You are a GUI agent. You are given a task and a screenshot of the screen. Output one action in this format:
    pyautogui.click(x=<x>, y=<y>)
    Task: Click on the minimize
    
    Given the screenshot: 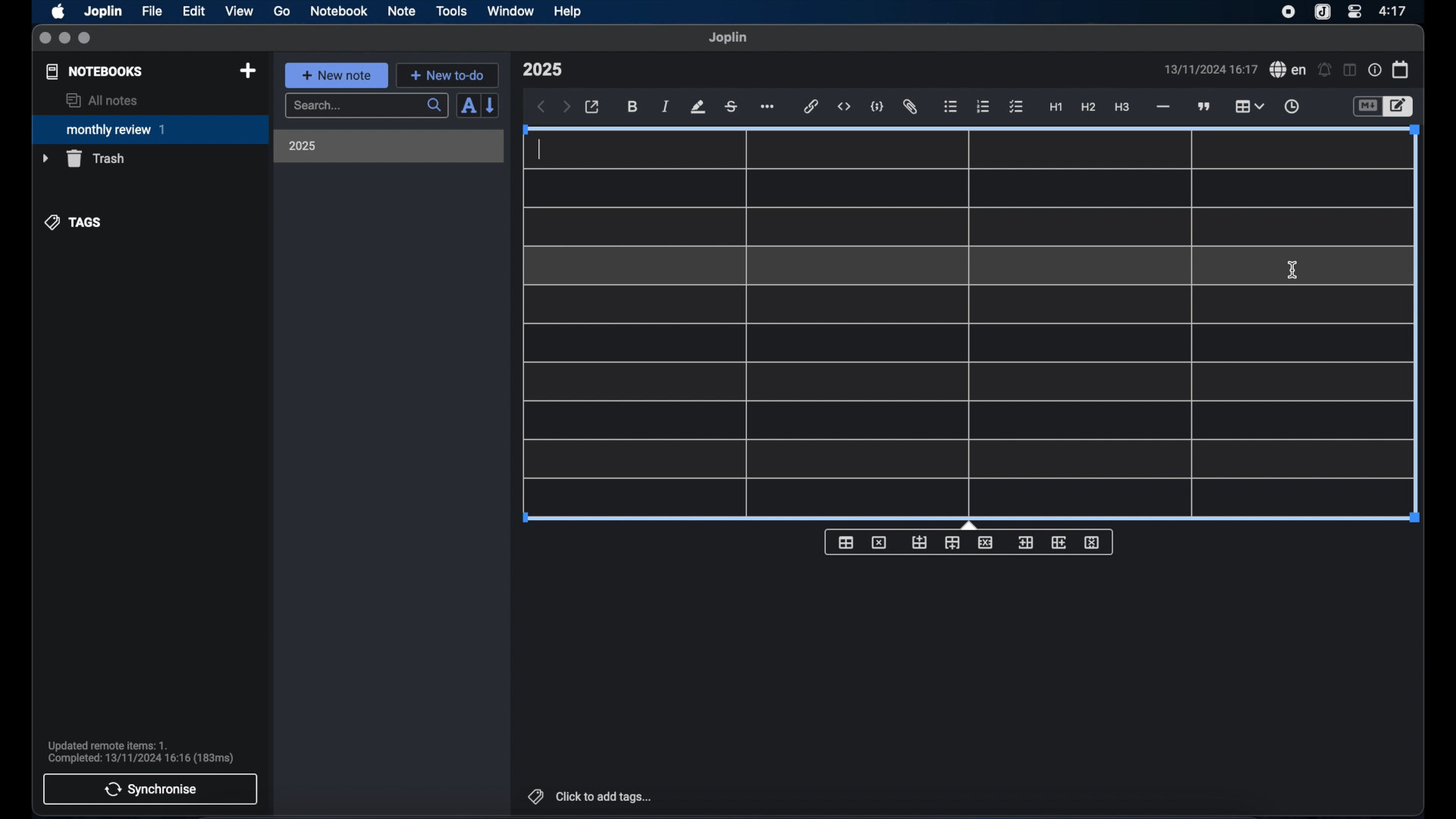 What is the action you would take?
    pyautogui.click(x=64, y=39)
    